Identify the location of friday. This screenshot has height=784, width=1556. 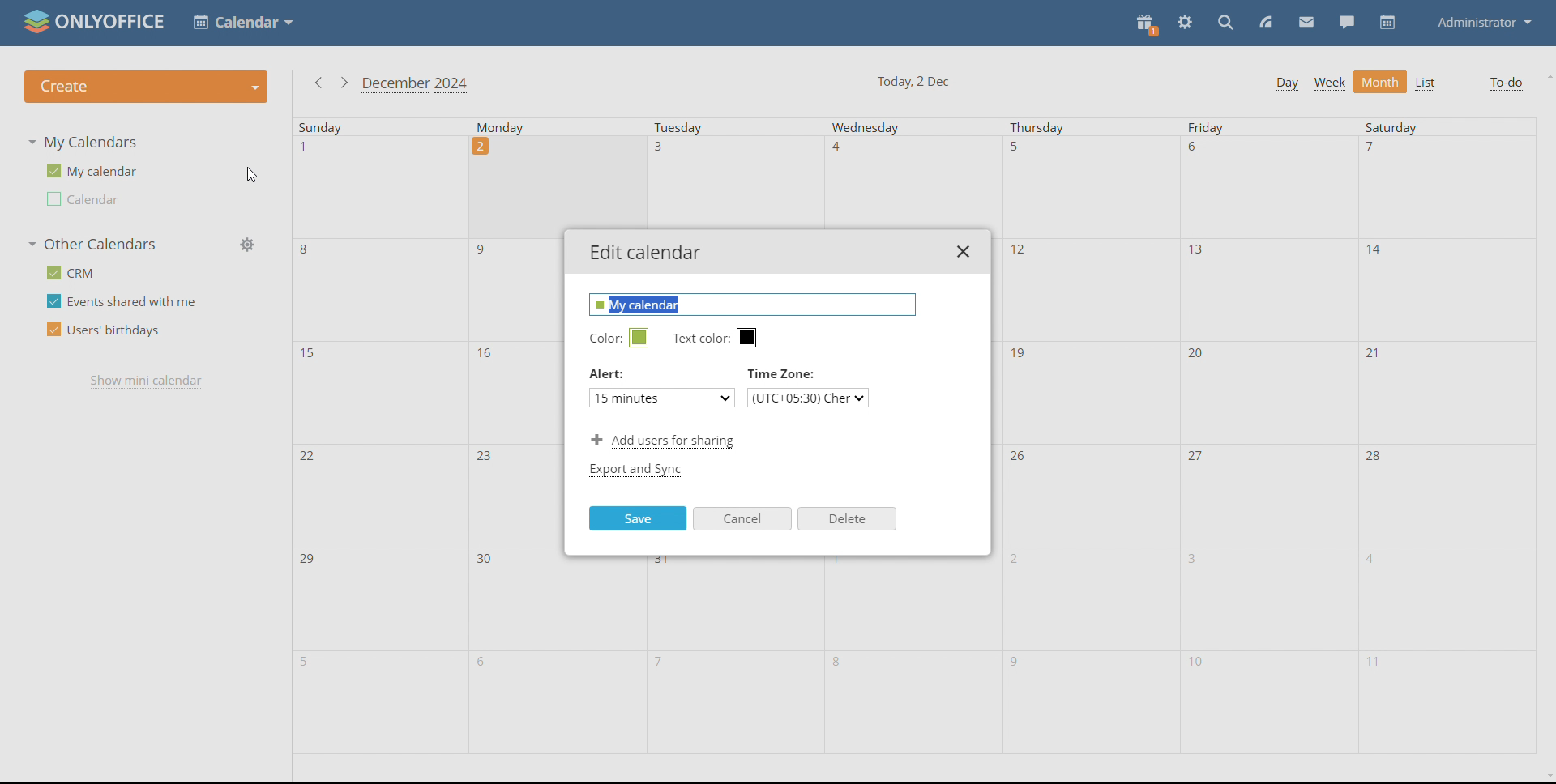
(1271, 446).